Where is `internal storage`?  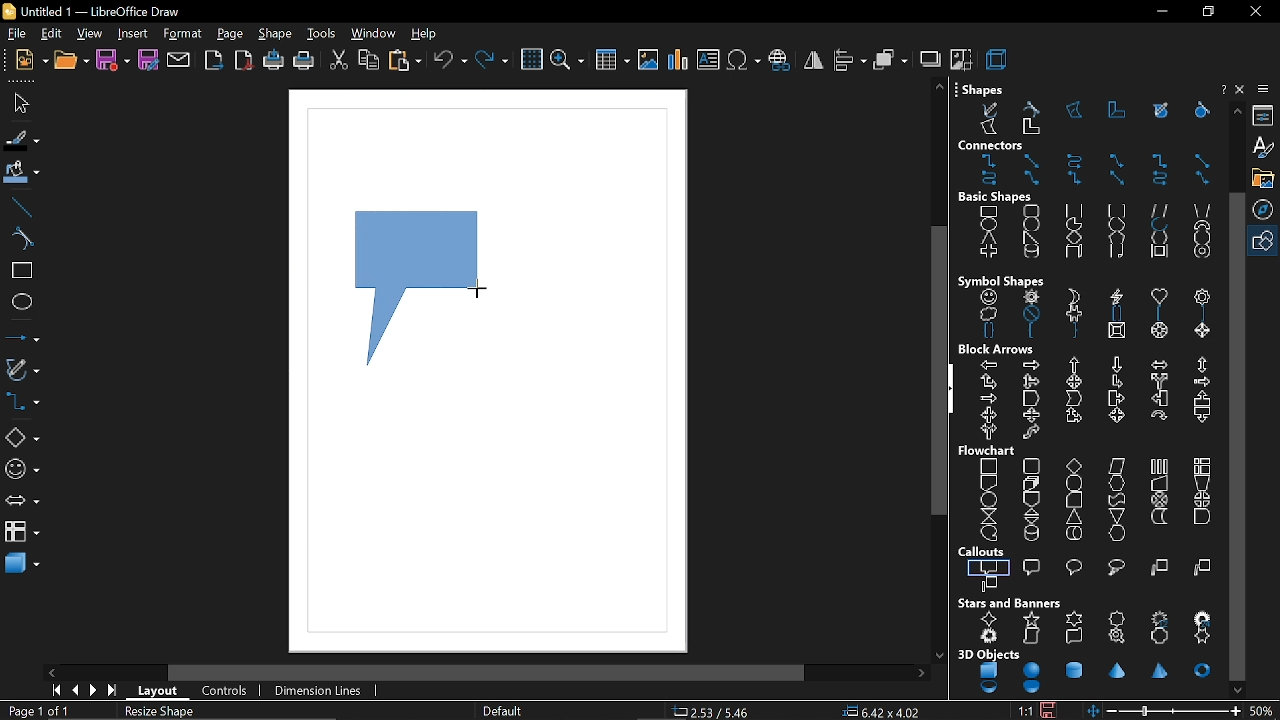 internal storage is located at coordinates (1203, 465).